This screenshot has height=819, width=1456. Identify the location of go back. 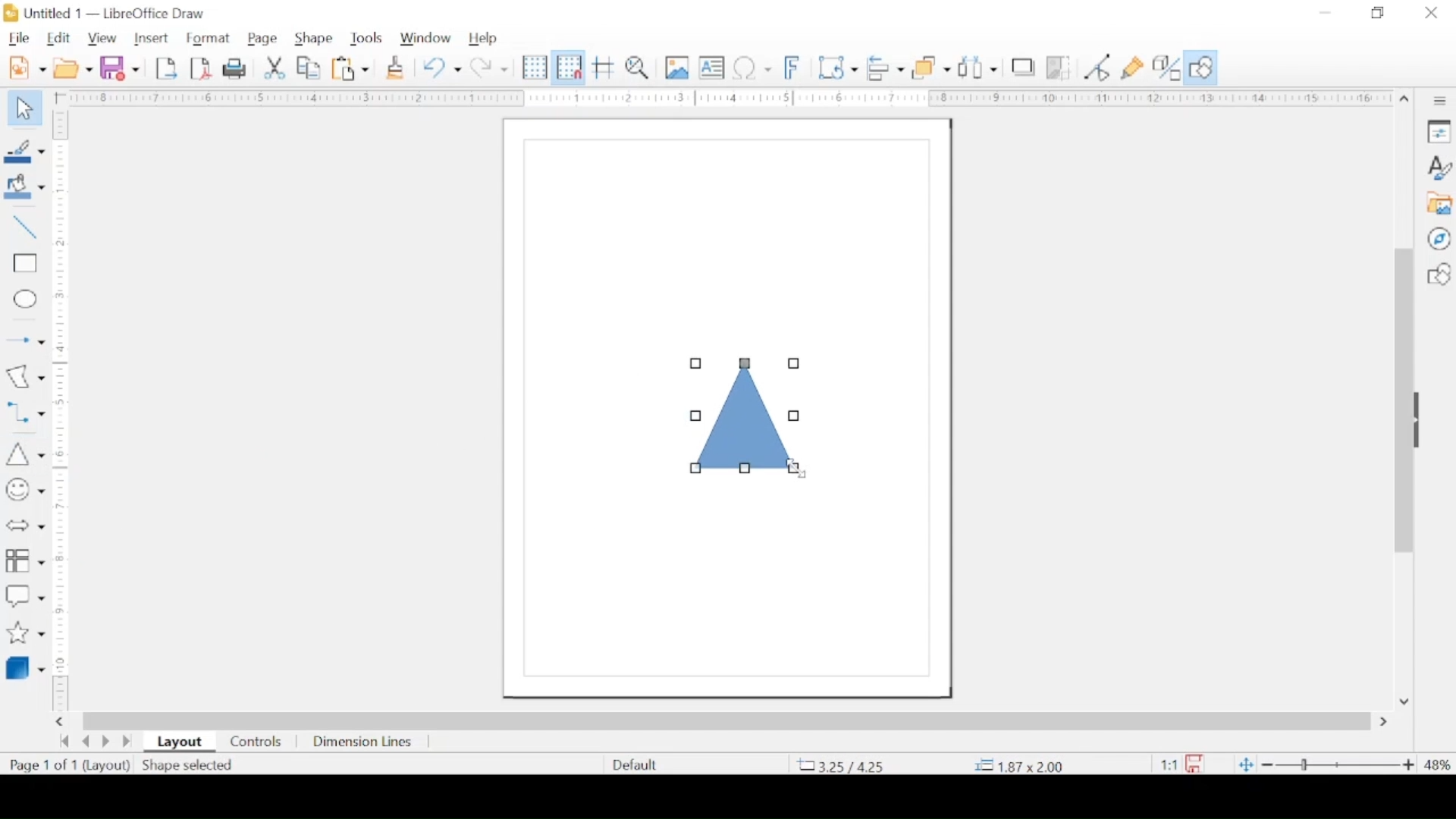
(64, 741).